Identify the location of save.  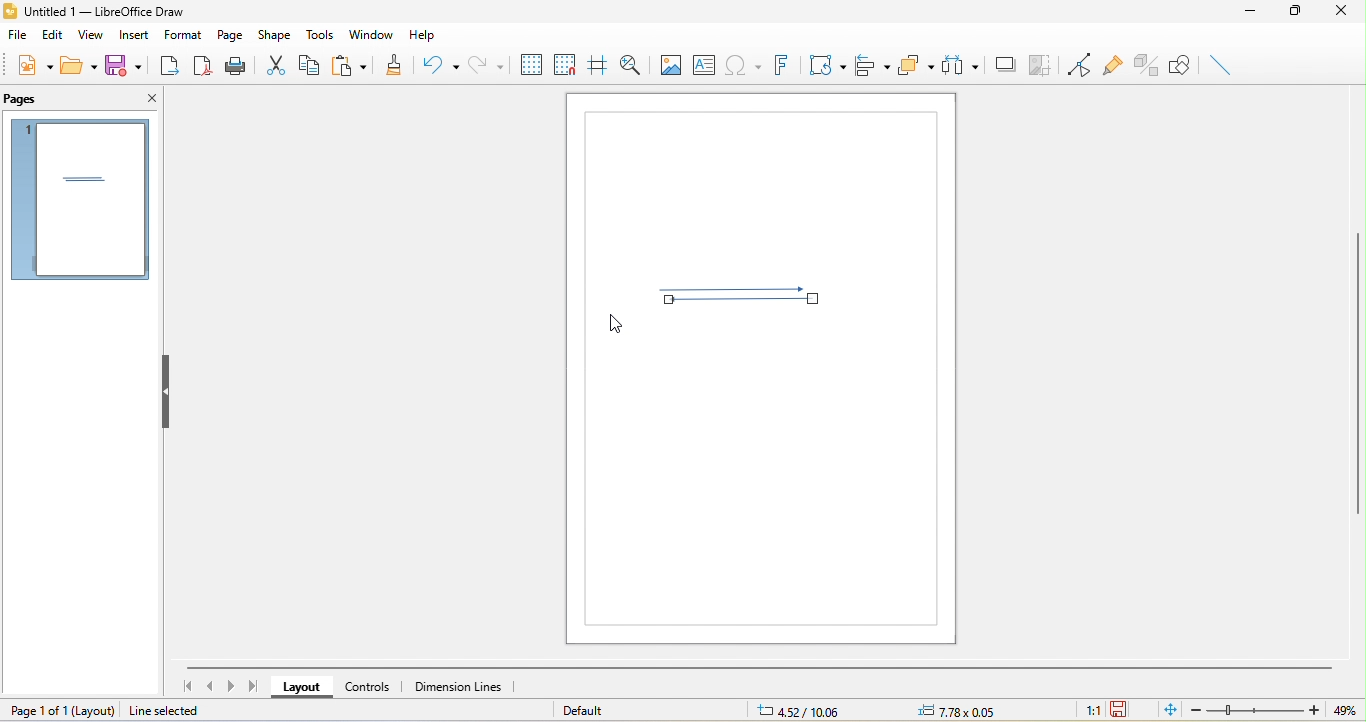
(123, 64).